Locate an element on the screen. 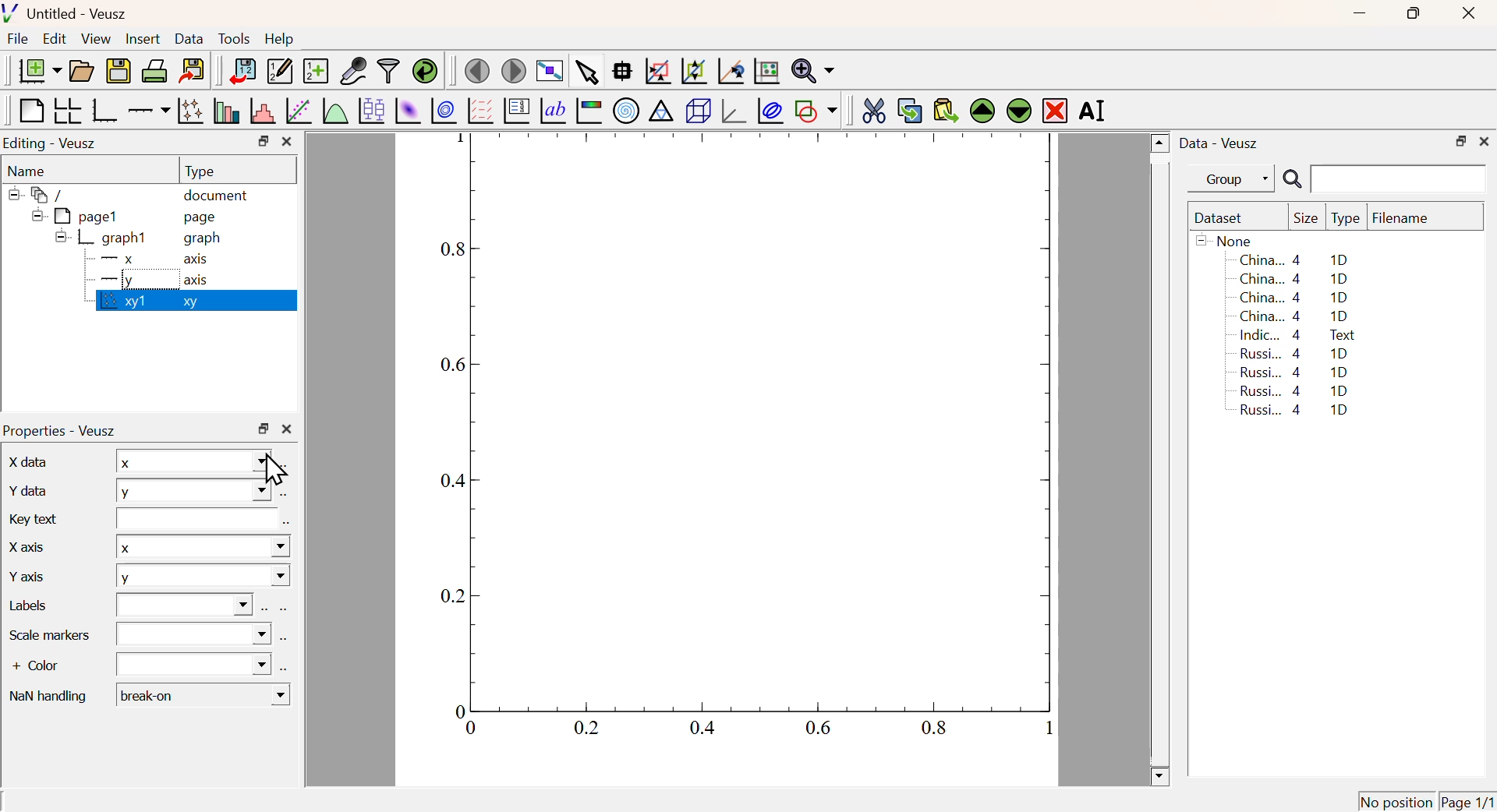 The height and width of the screenshot is (812, 1497). Dataset is located at coordinates (1222, 219).